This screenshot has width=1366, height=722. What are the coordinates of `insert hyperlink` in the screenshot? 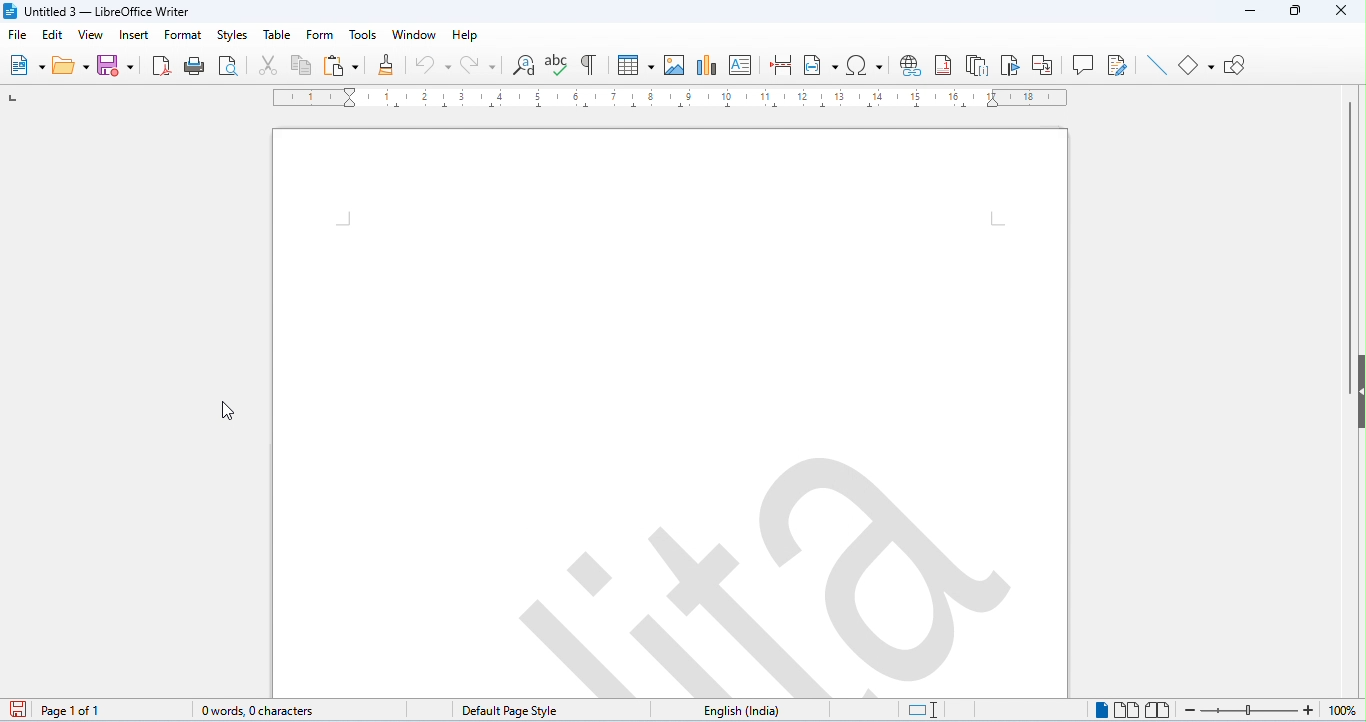 It's located at (910, 64).